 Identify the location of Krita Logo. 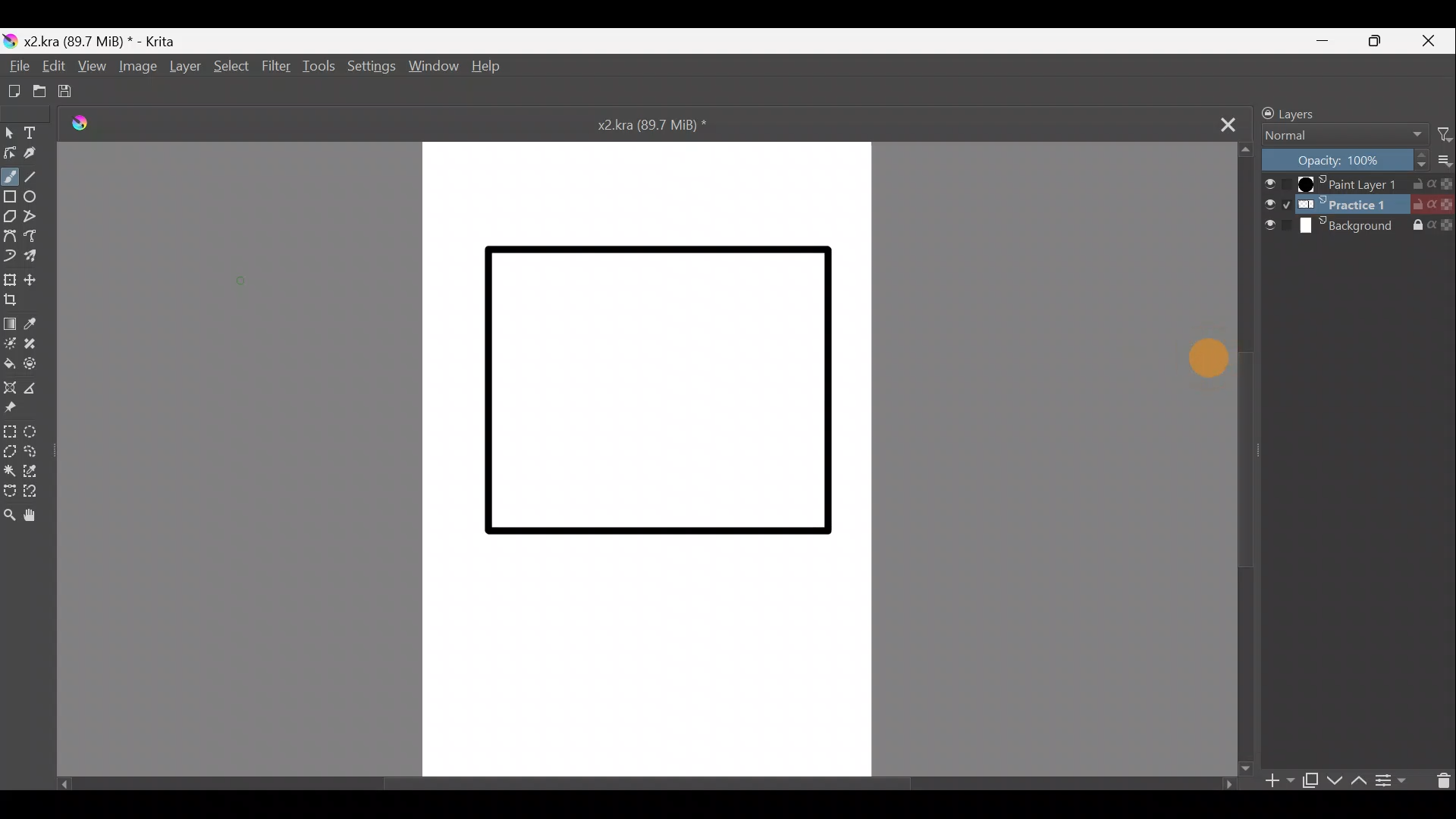
(79, 124).